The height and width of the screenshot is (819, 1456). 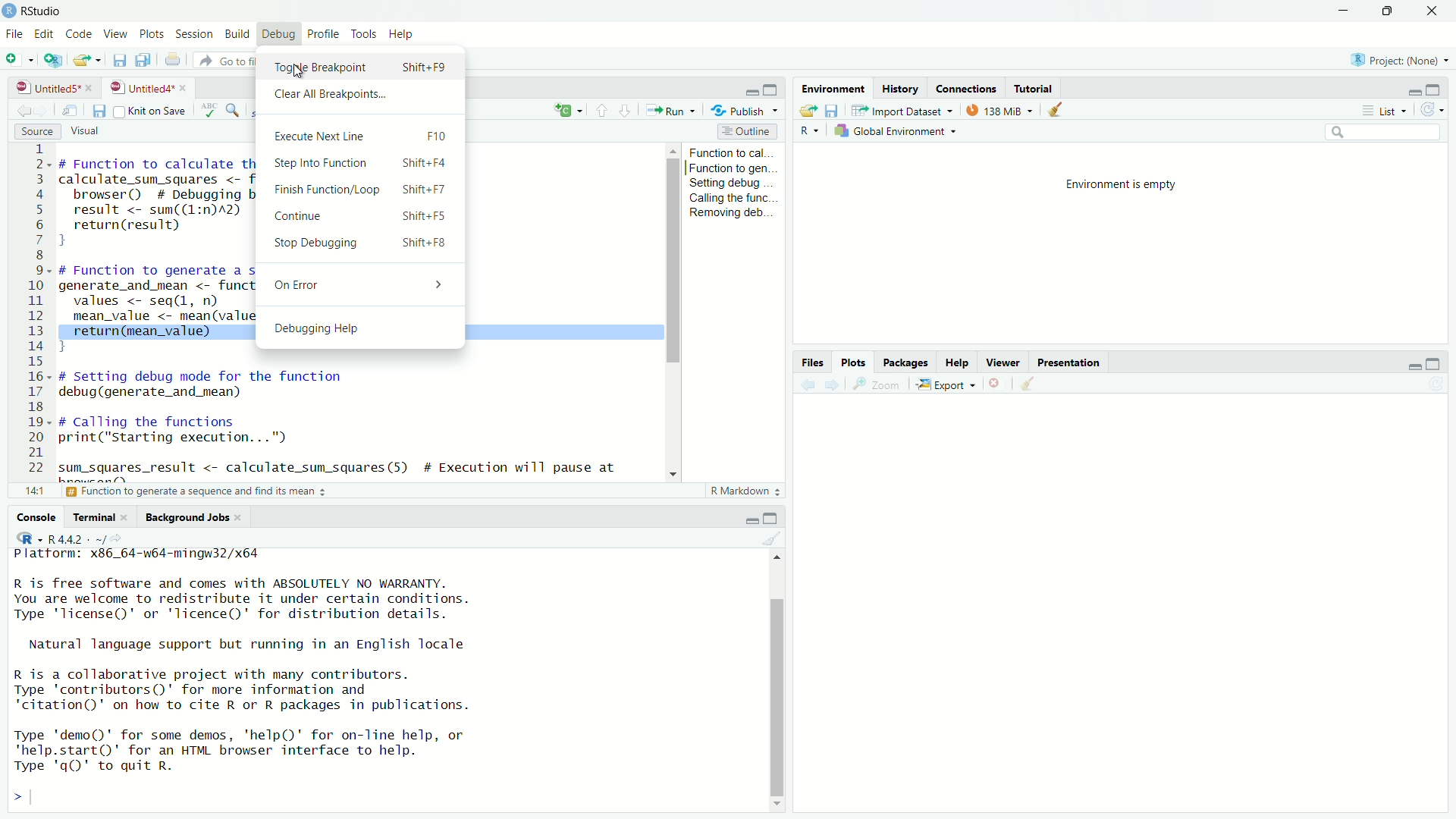 I want to click on code, so click(x=81, y=32).